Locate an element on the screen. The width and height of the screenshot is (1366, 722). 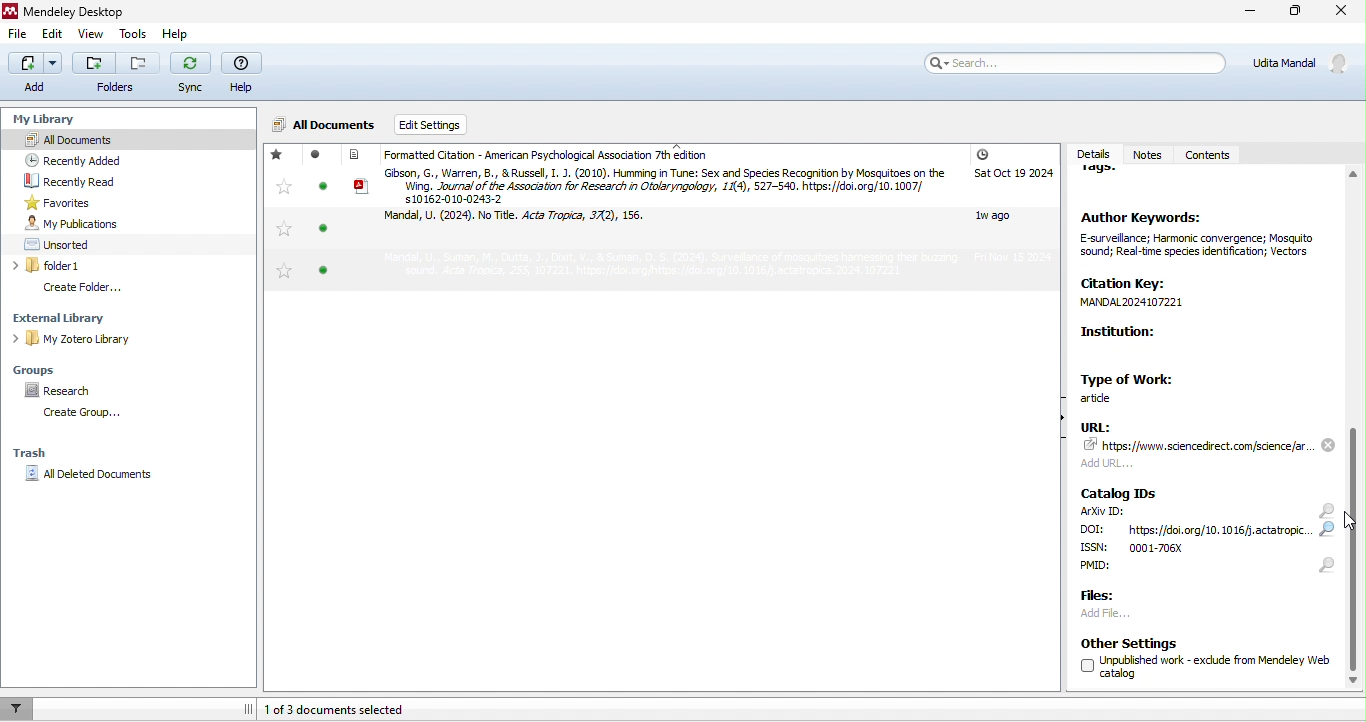
catalog IDs is located at coordinates (1122, 492).